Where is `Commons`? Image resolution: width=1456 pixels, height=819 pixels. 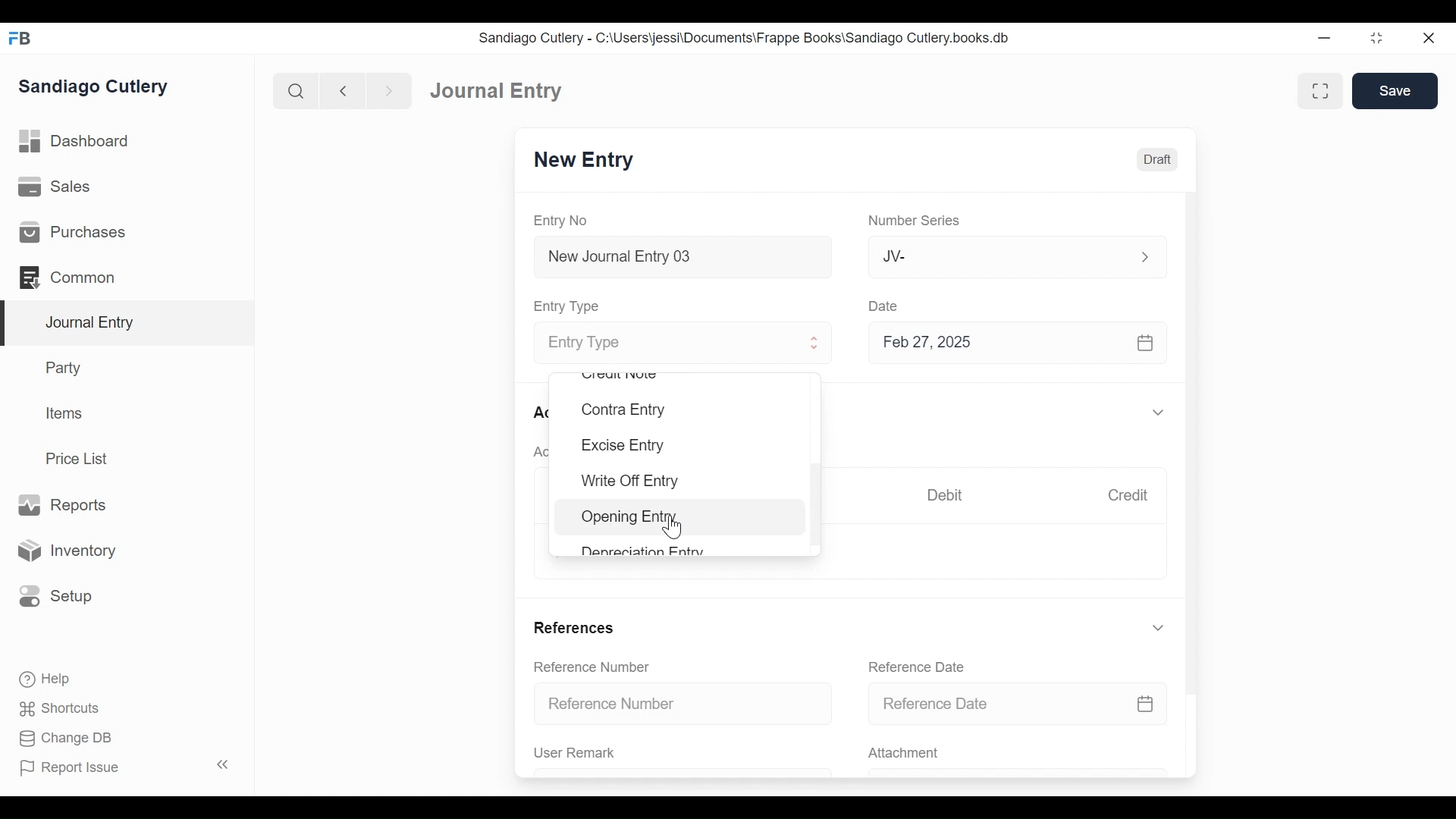
Commons is located at coordinates (66, 277).